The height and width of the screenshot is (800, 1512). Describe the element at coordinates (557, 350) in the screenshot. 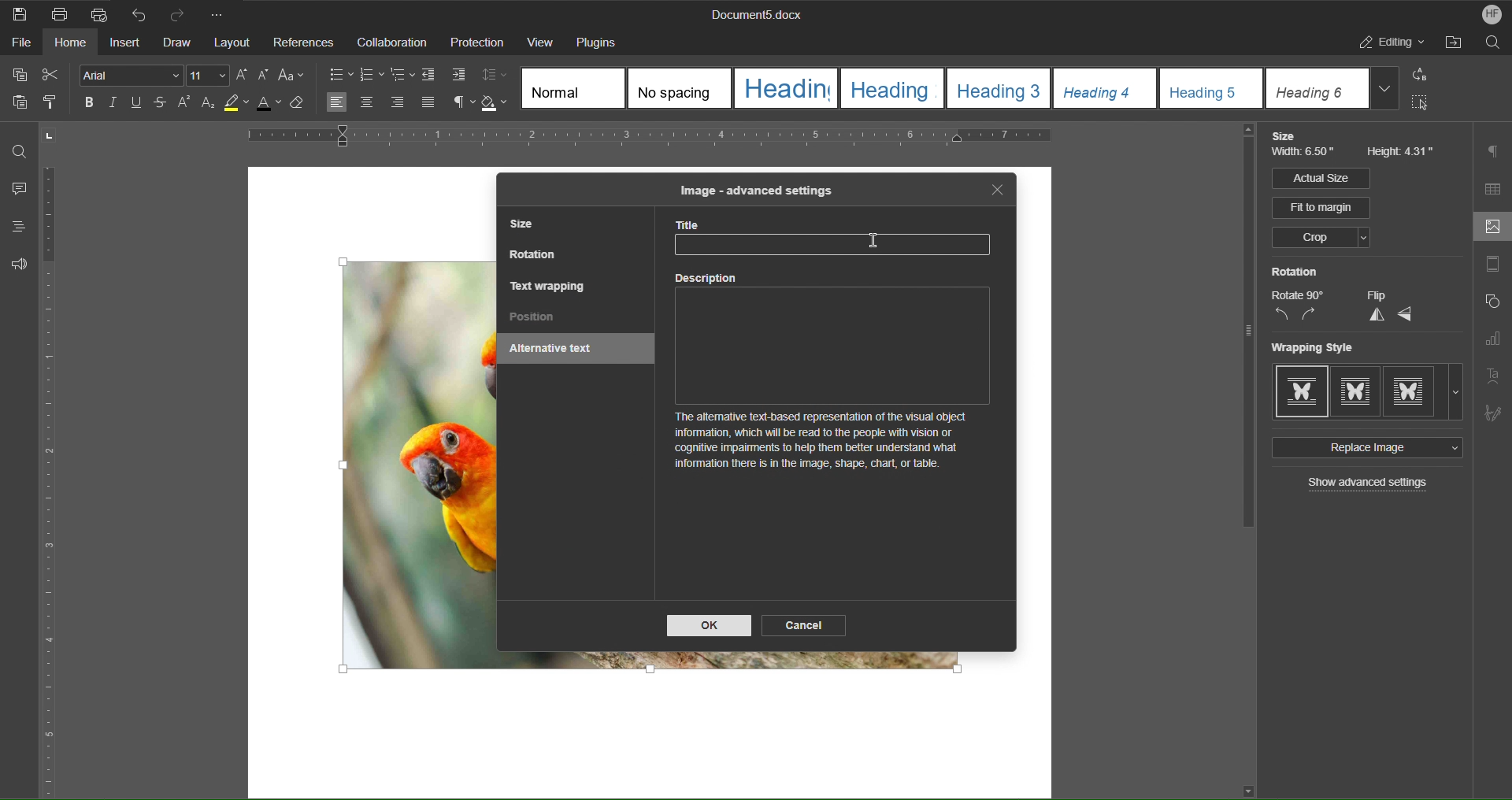

I see `Alternative text` at that location.